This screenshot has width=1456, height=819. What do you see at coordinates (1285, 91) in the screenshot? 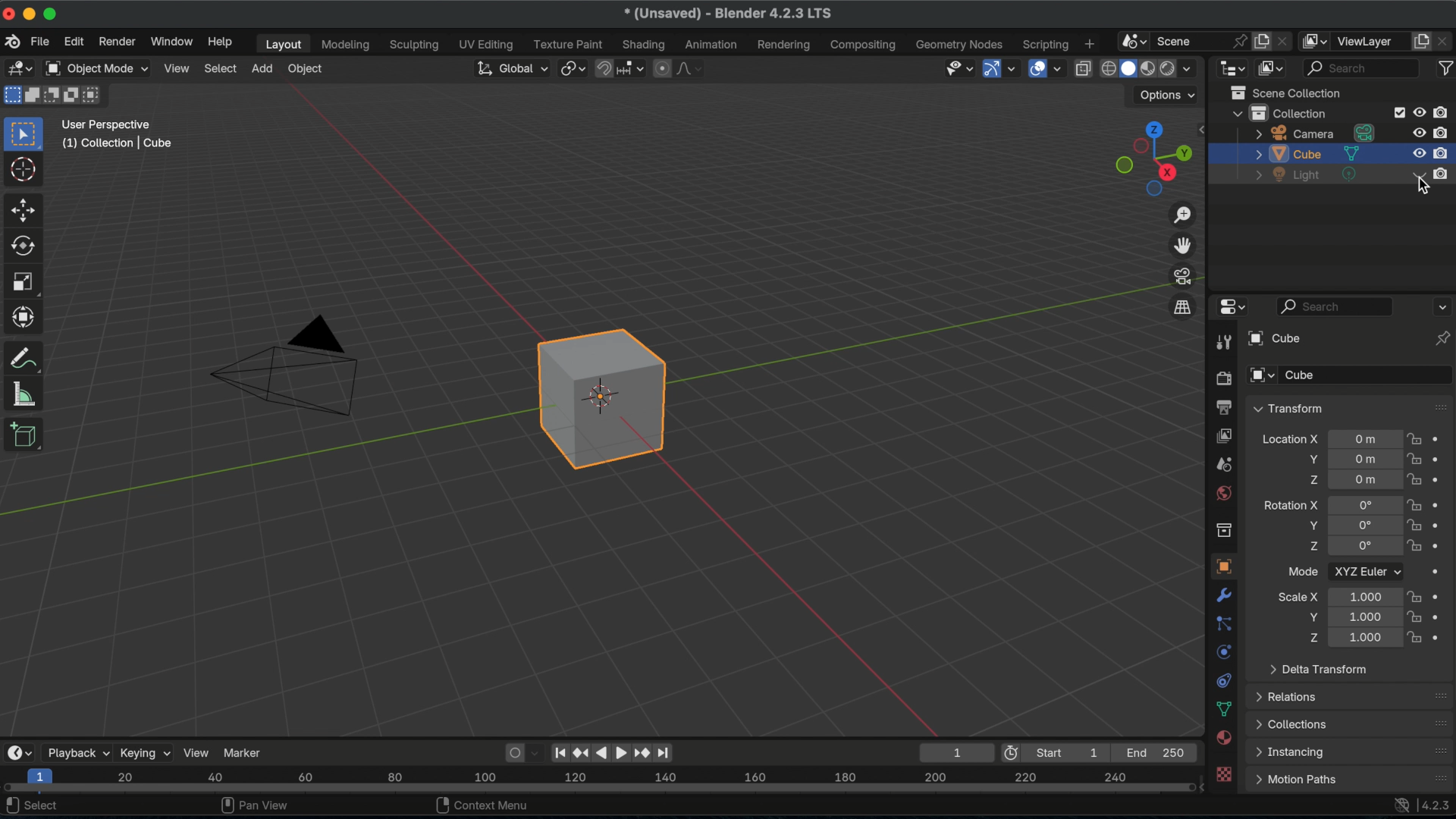
I see `scene collection` at bounding box center [1285, 91].